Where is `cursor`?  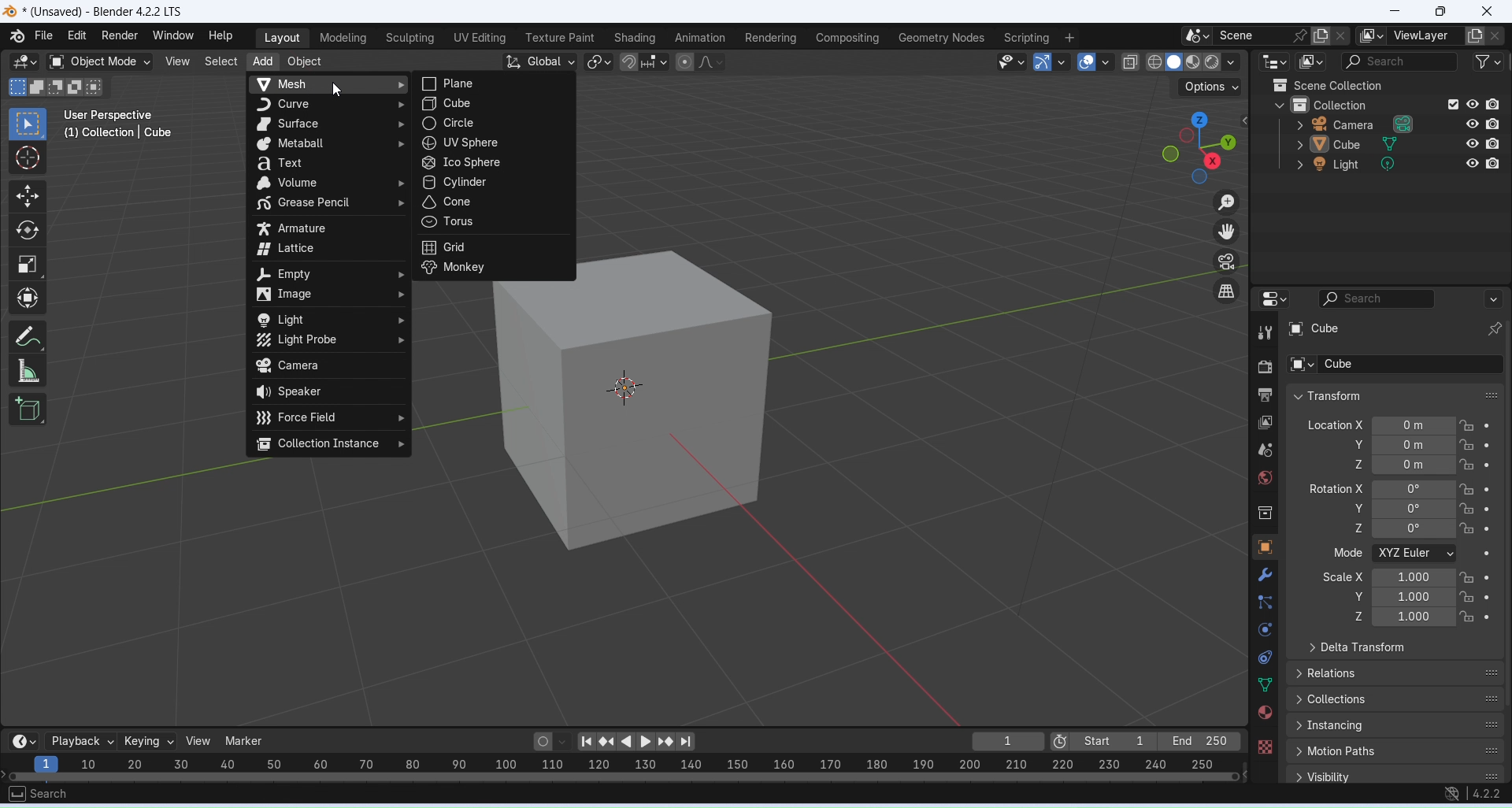 cursor is located at coordinates (632, 390).